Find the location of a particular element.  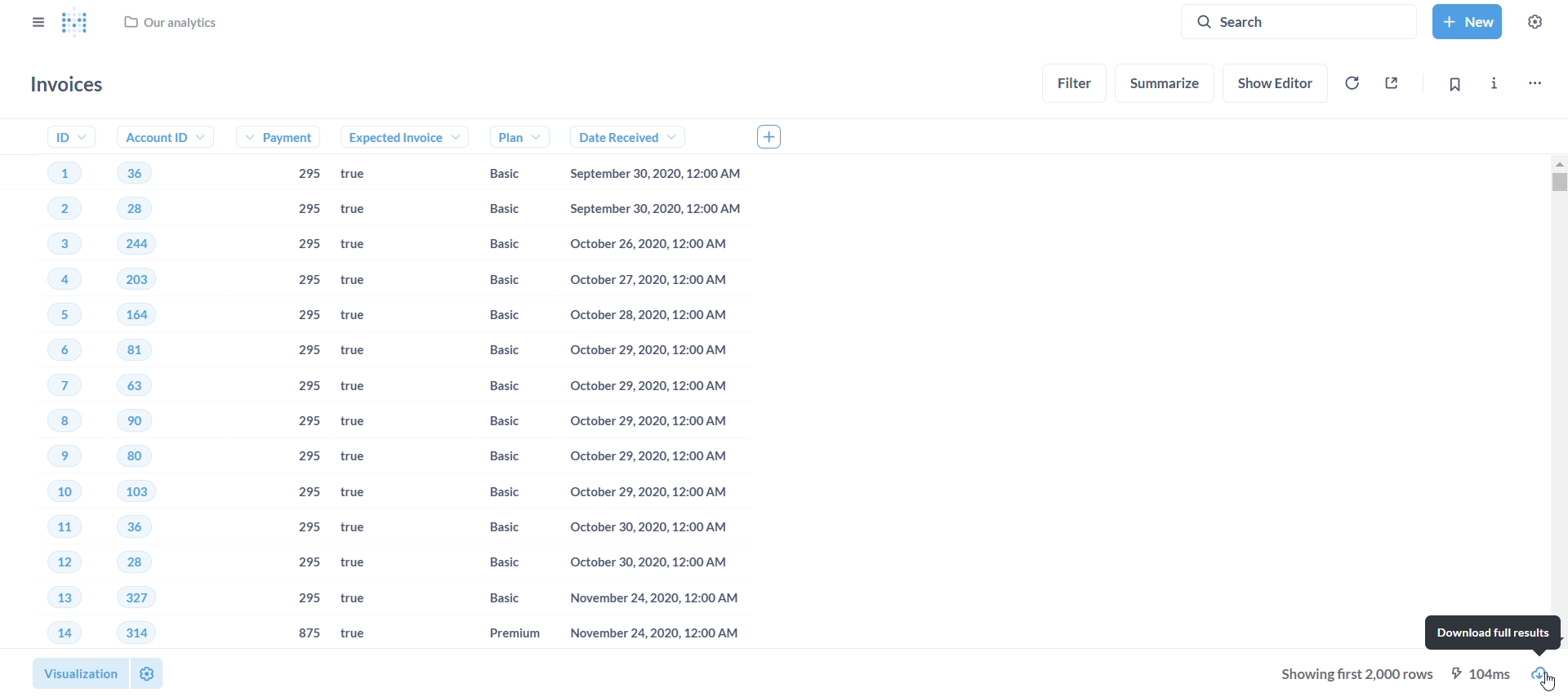

13 is located at coordinates (46, 599).